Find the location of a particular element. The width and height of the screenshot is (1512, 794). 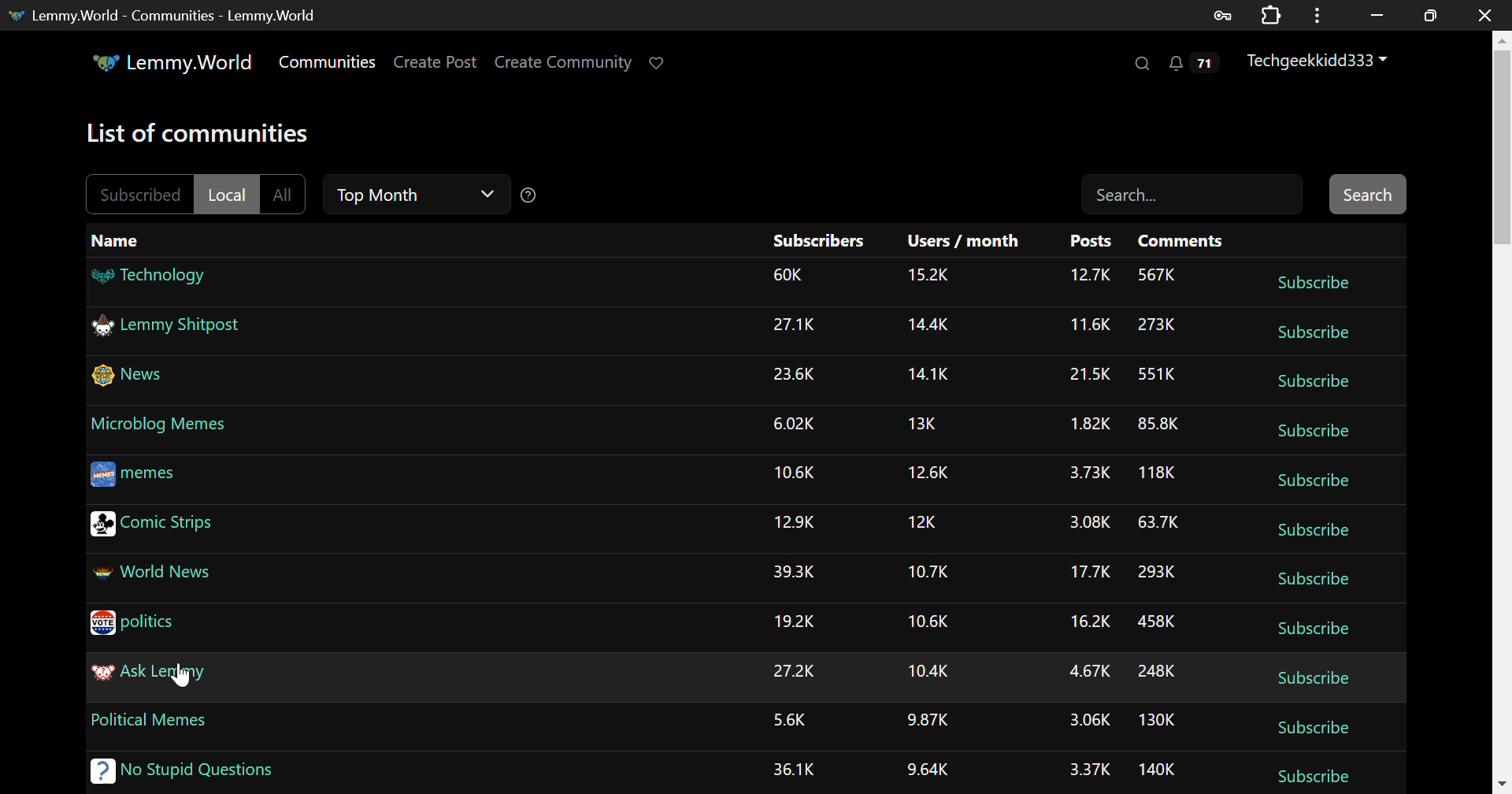

Subscribe is located at coordinates (1312, 730).